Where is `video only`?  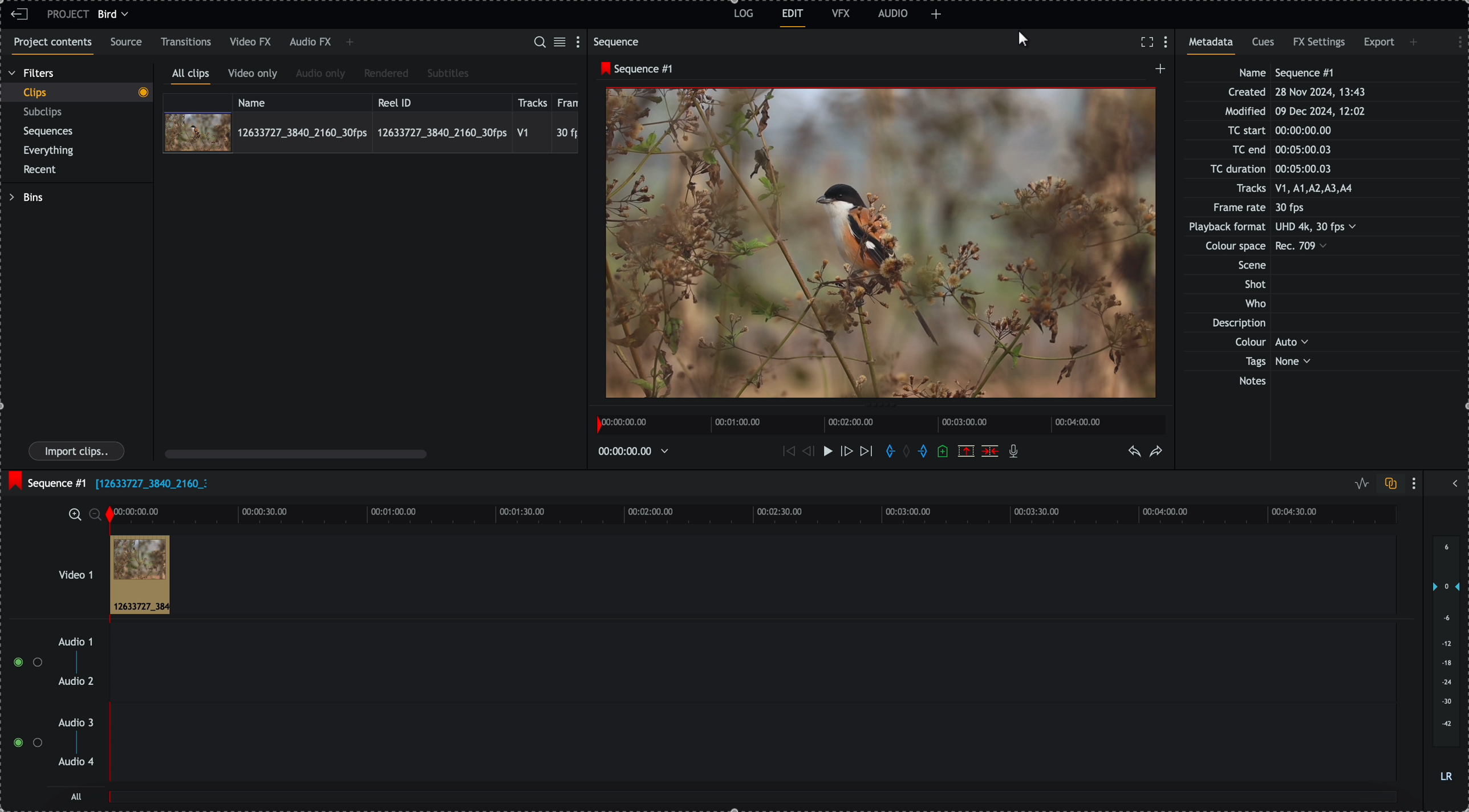
video only is located at coordinates (255, 75).